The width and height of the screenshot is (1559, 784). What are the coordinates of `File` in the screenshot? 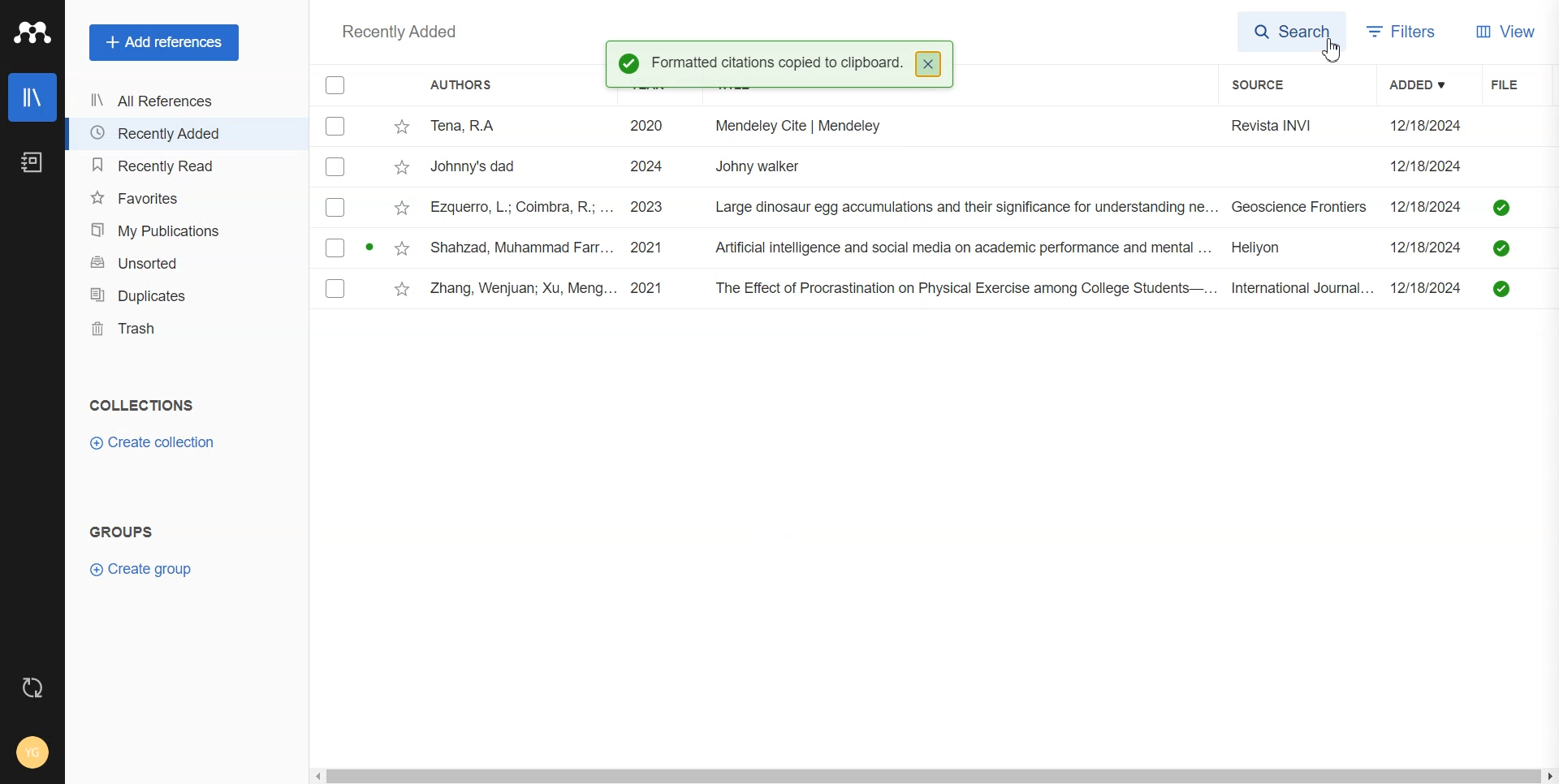 It's located at (1516, 84).